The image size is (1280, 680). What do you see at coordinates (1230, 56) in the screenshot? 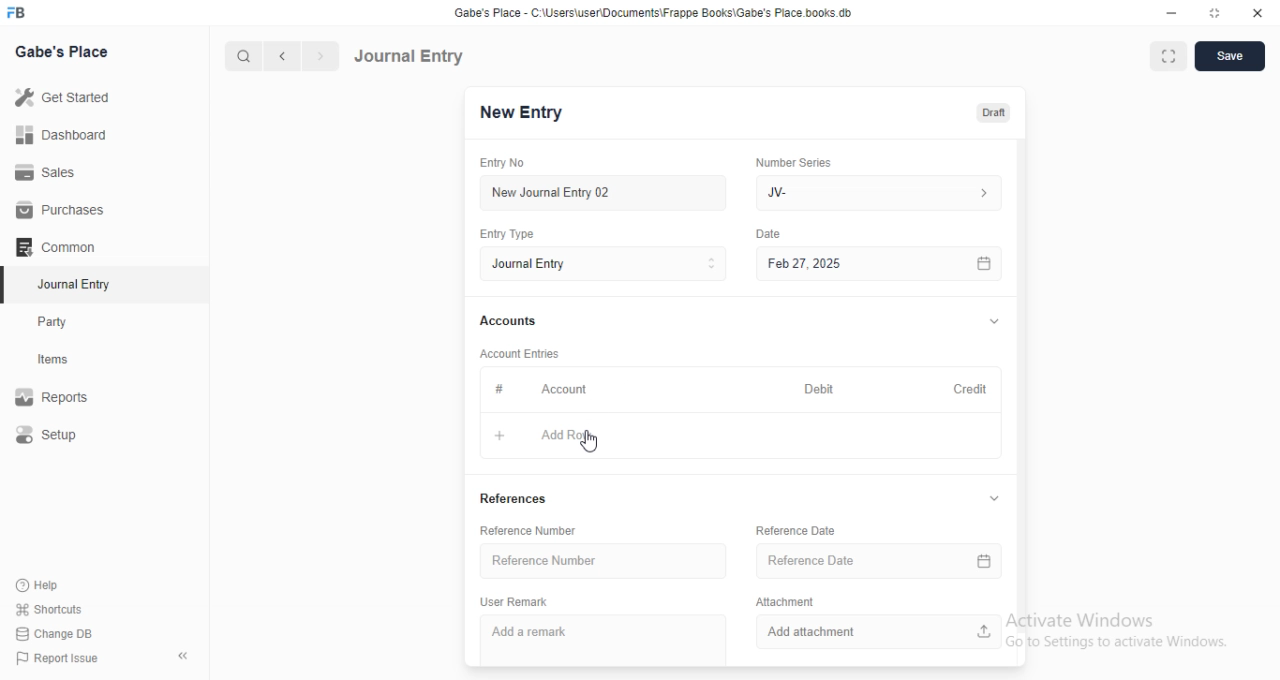
I see `Save` at bounding box center [1230, 56].